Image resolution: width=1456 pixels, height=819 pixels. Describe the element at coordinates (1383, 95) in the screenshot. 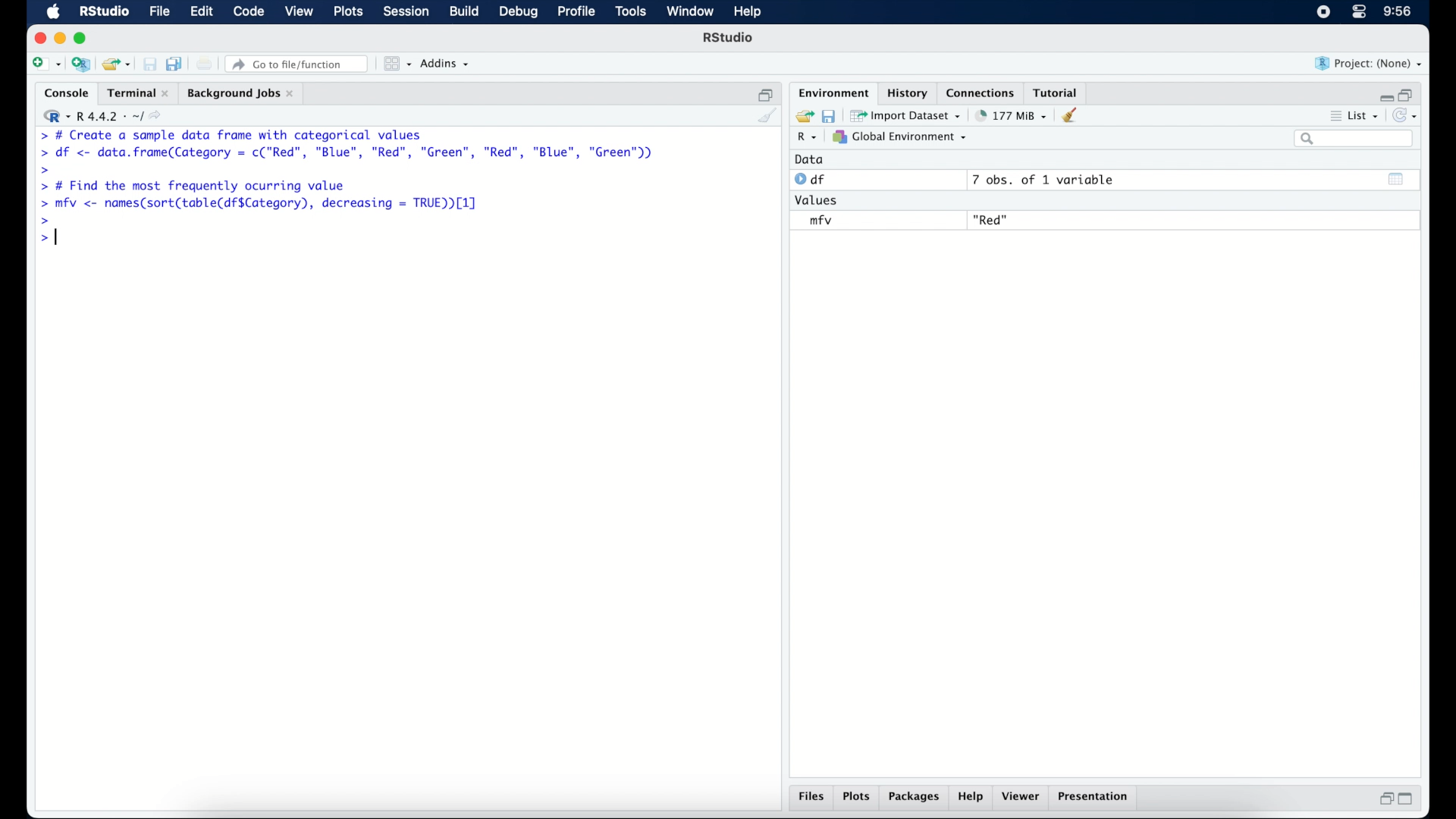

I see `minimize` at that location.